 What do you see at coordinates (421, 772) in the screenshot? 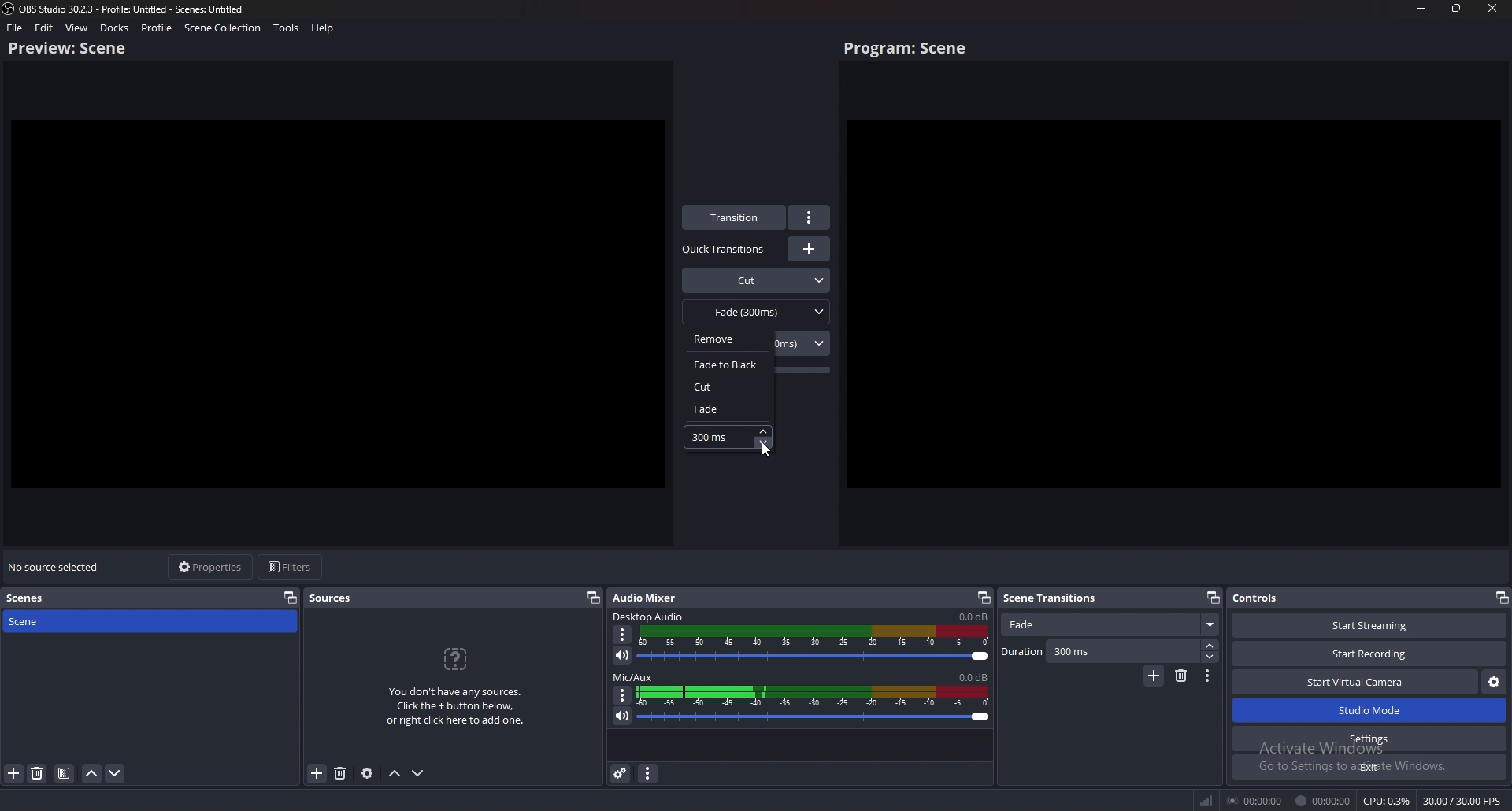
I see `Move sources down` at bounding box center [421, 772].